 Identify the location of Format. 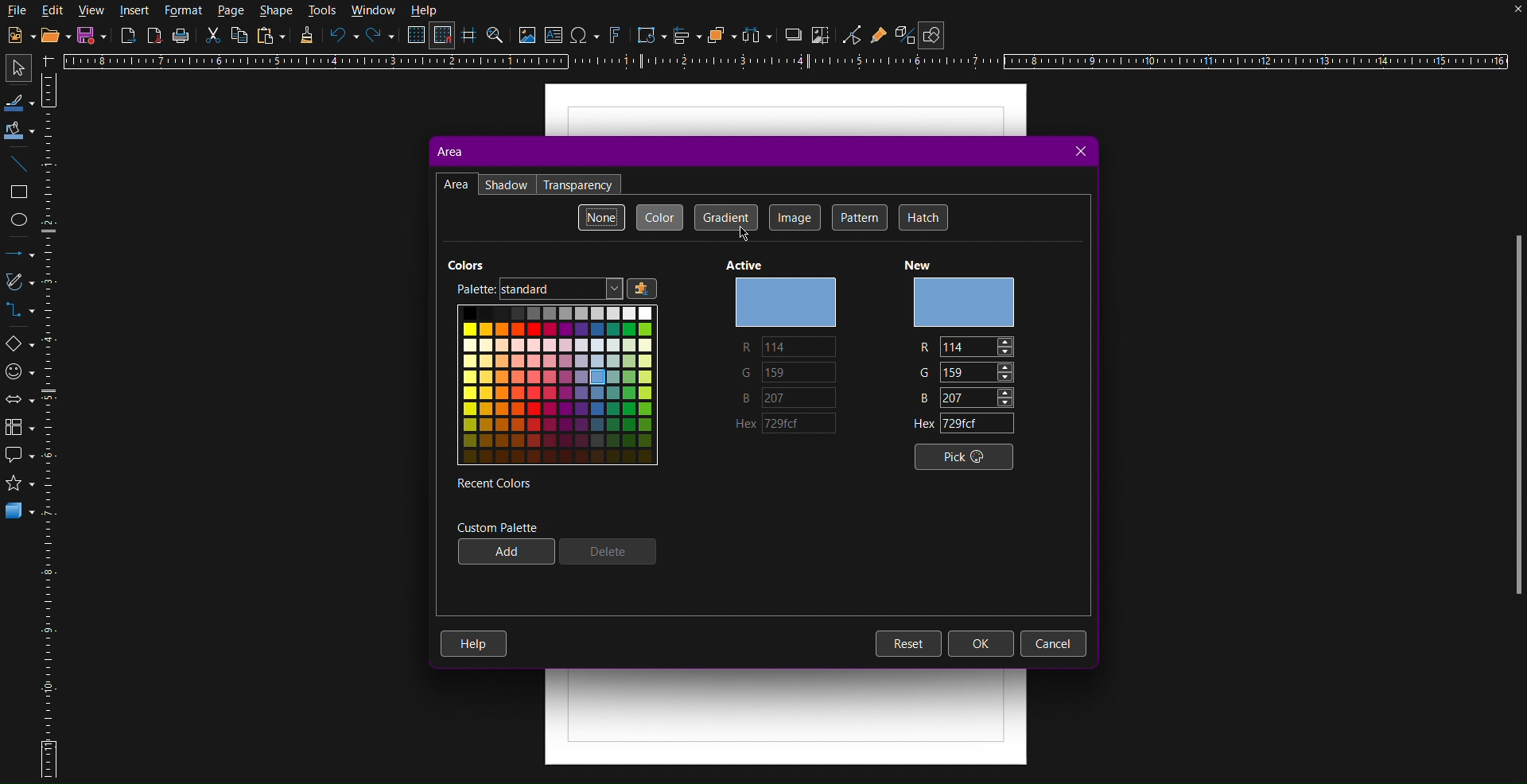
(183, 11).